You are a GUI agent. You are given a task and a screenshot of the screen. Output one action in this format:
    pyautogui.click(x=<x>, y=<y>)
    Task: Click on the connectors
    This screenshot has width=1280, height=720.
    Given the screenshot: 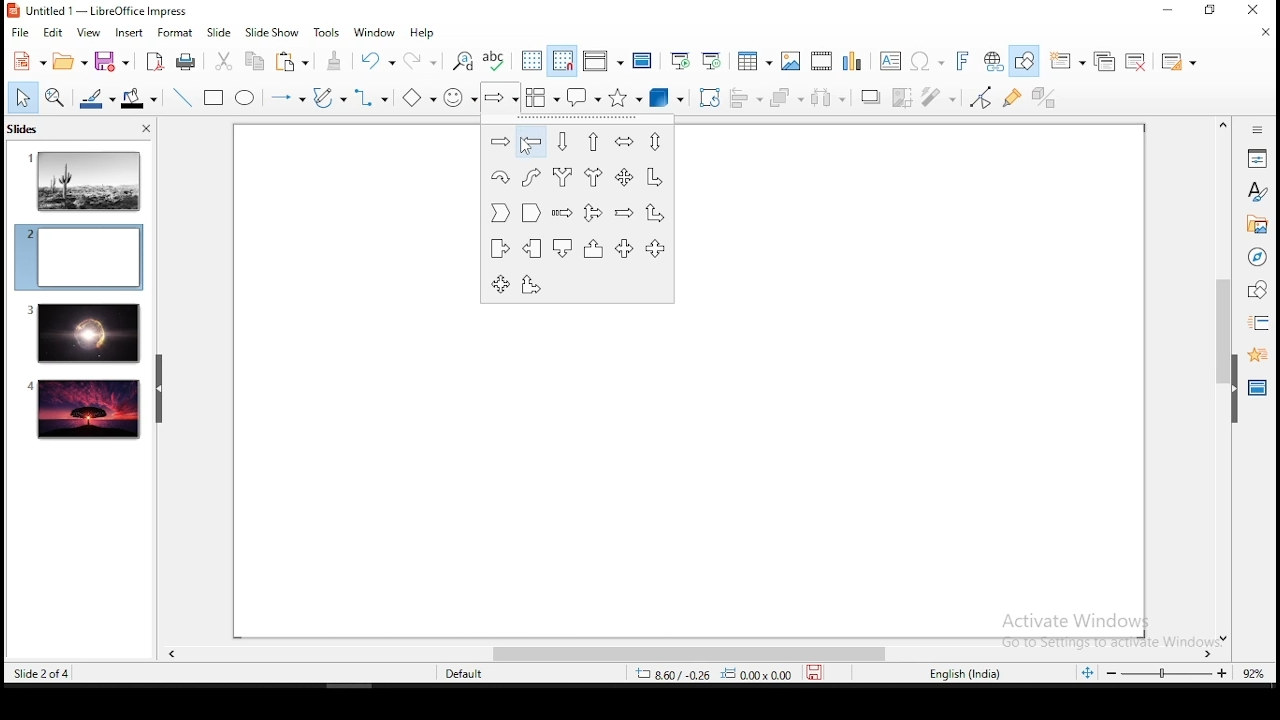 What is the action you would take?
    pyautogui.click(x=368, y=98)
    